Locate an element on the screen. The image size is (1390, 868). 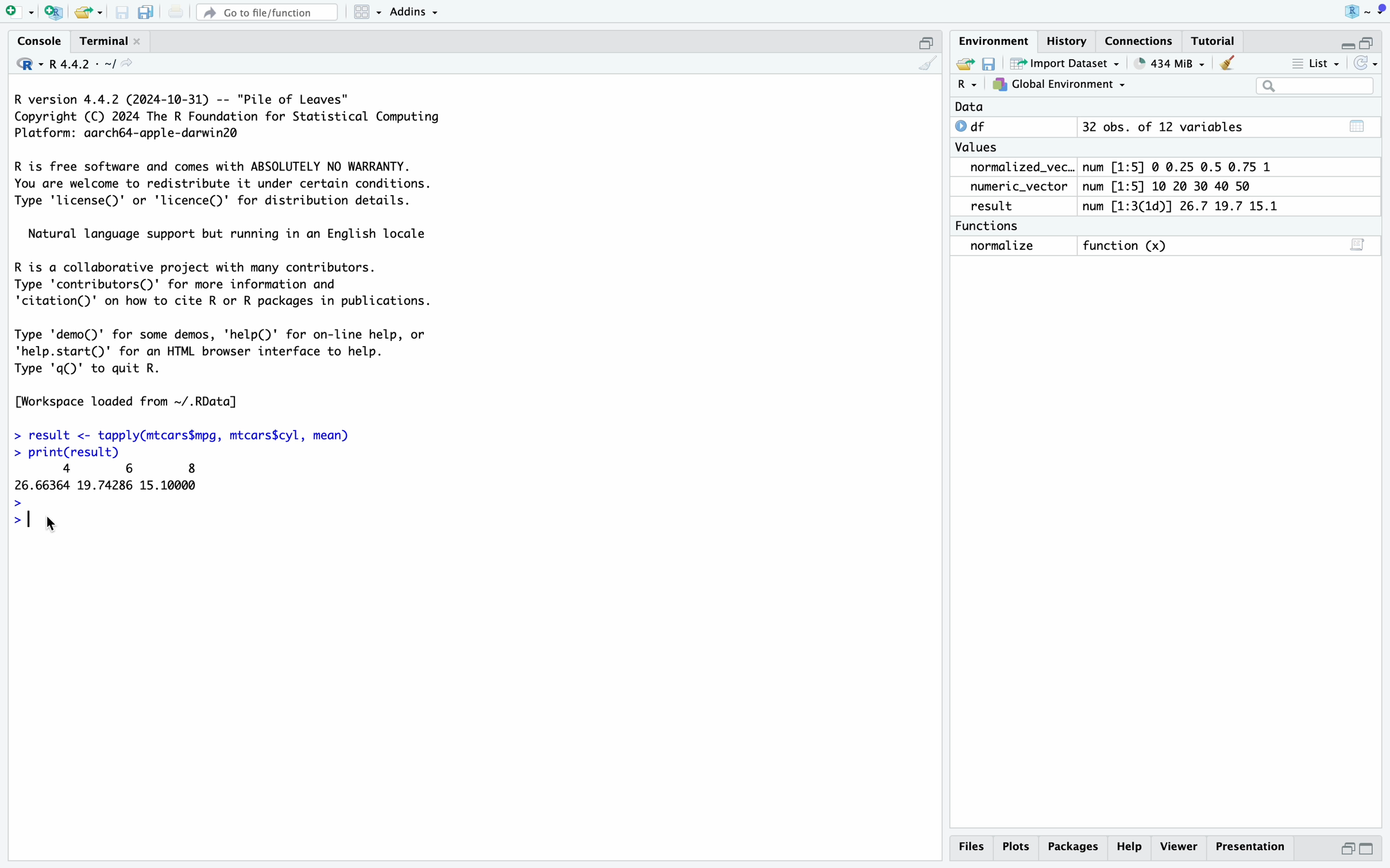
Half hide is located at coordinates (927, 41).